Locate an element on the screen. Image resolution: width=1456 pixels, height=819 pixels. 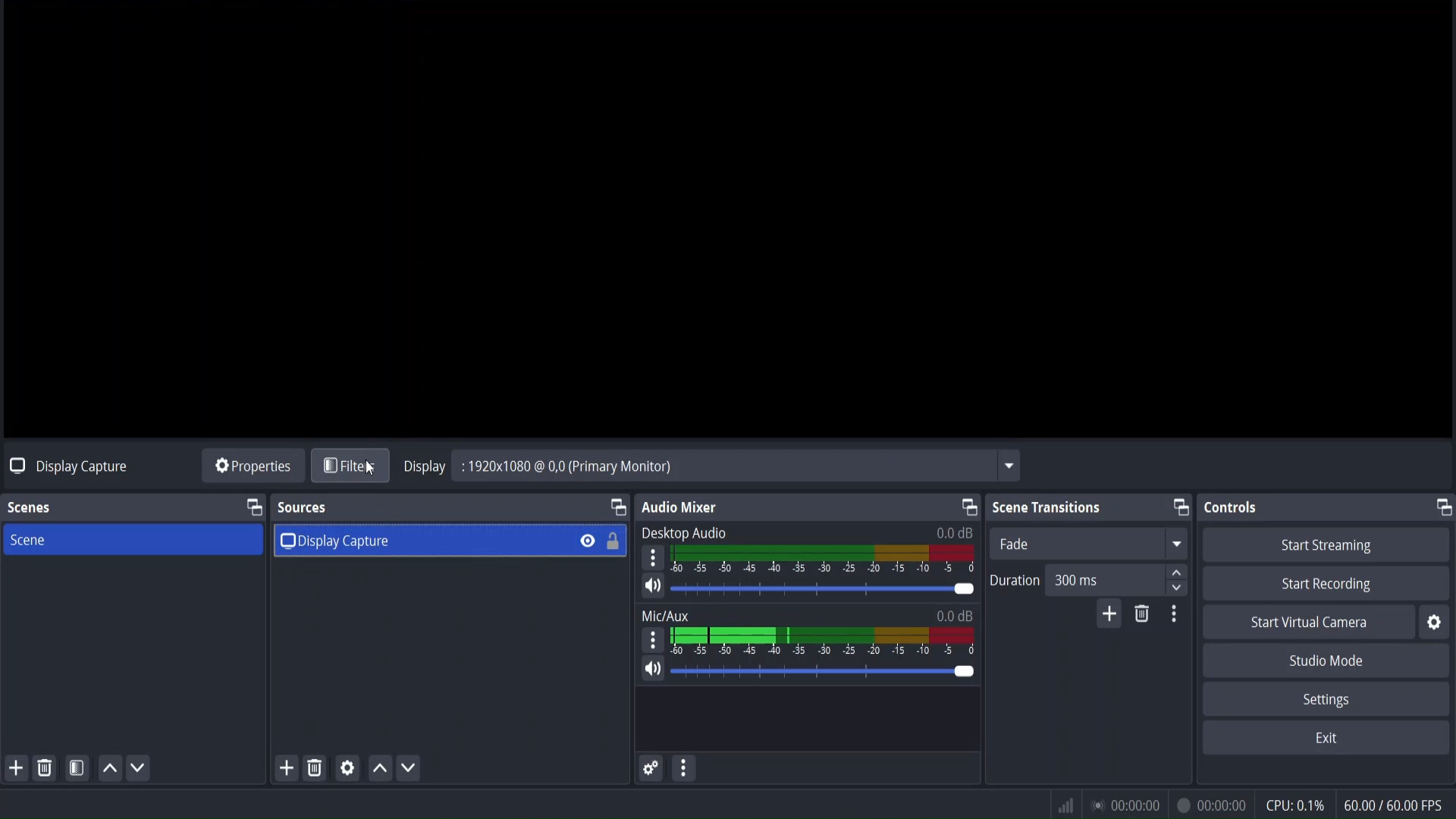
remove selected source is located at coordinates (315, 767).